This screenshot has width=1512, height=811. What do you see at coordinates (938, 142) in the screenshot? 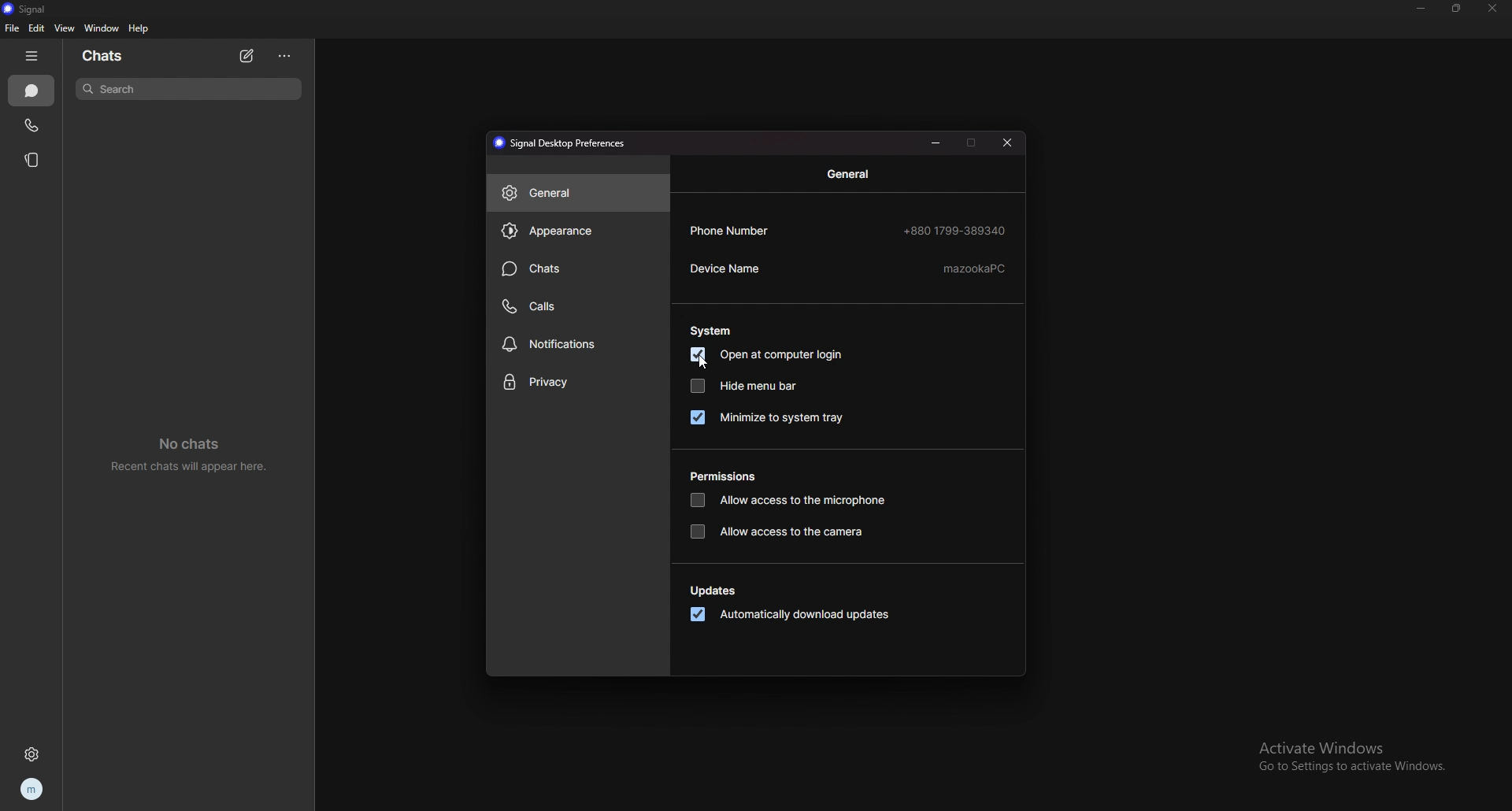
I see `minimize` at bounding box center [938, 142].